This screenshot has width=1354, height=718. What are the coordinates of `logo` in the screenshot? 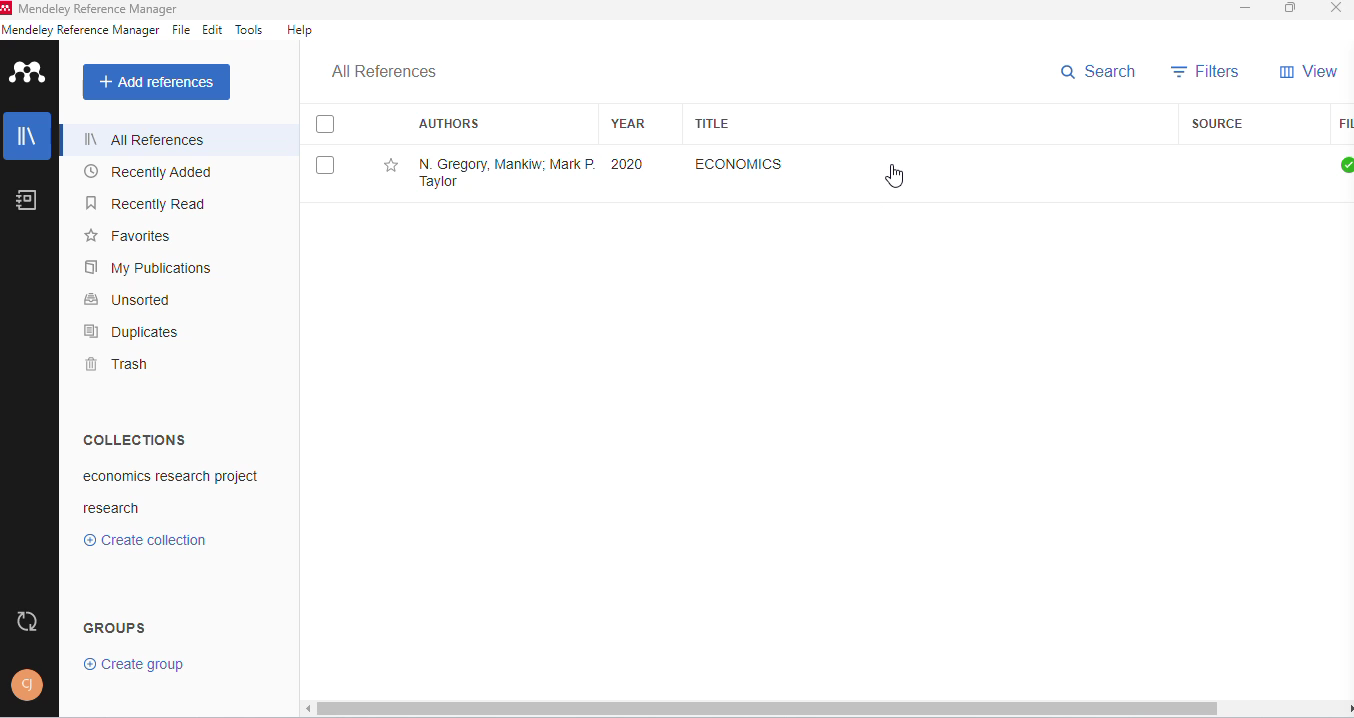 It's located at (30, 70).